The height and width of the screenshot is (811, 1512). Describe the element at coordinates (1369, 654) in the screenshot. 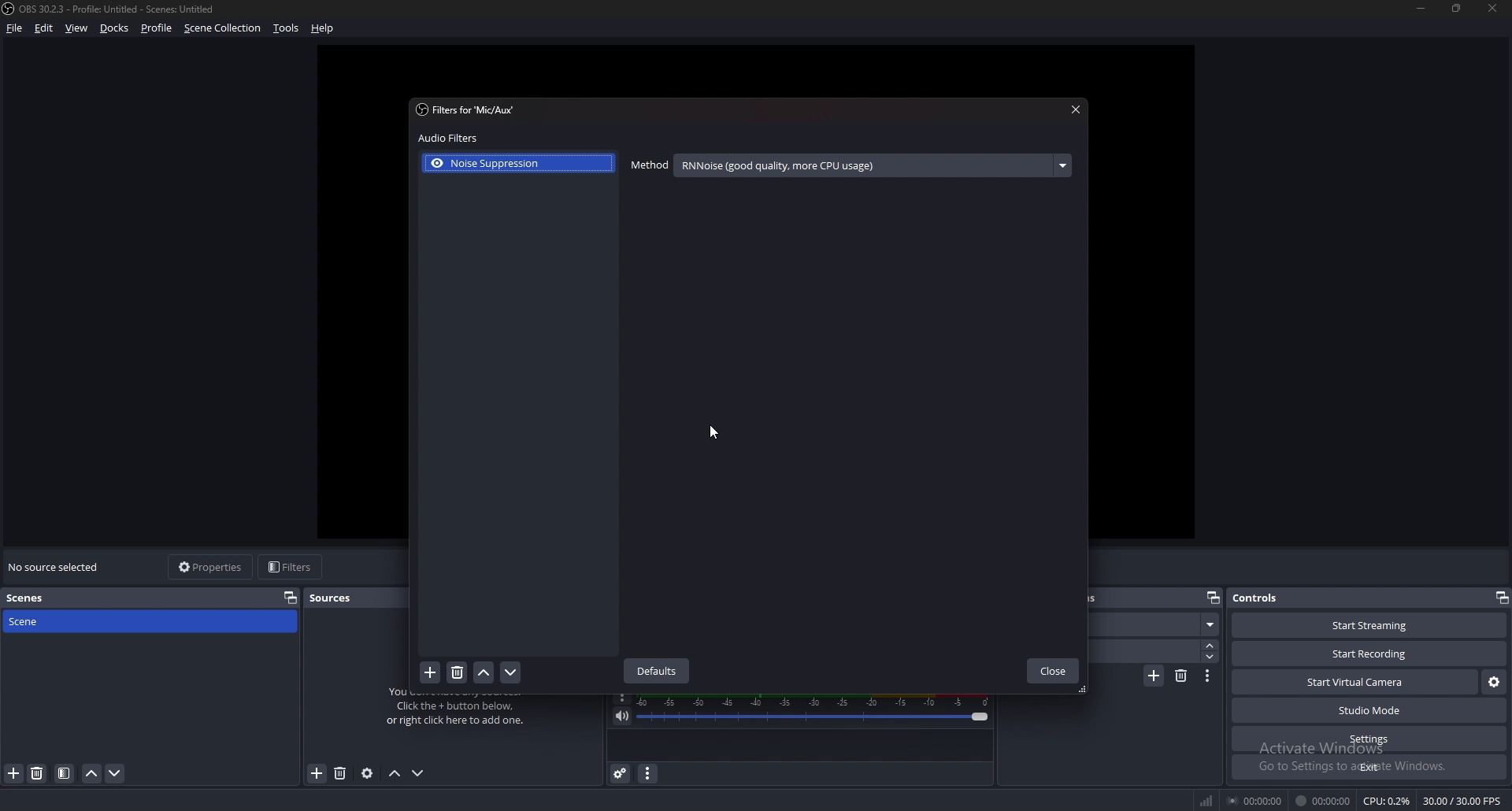

I see `start recording` at that location.